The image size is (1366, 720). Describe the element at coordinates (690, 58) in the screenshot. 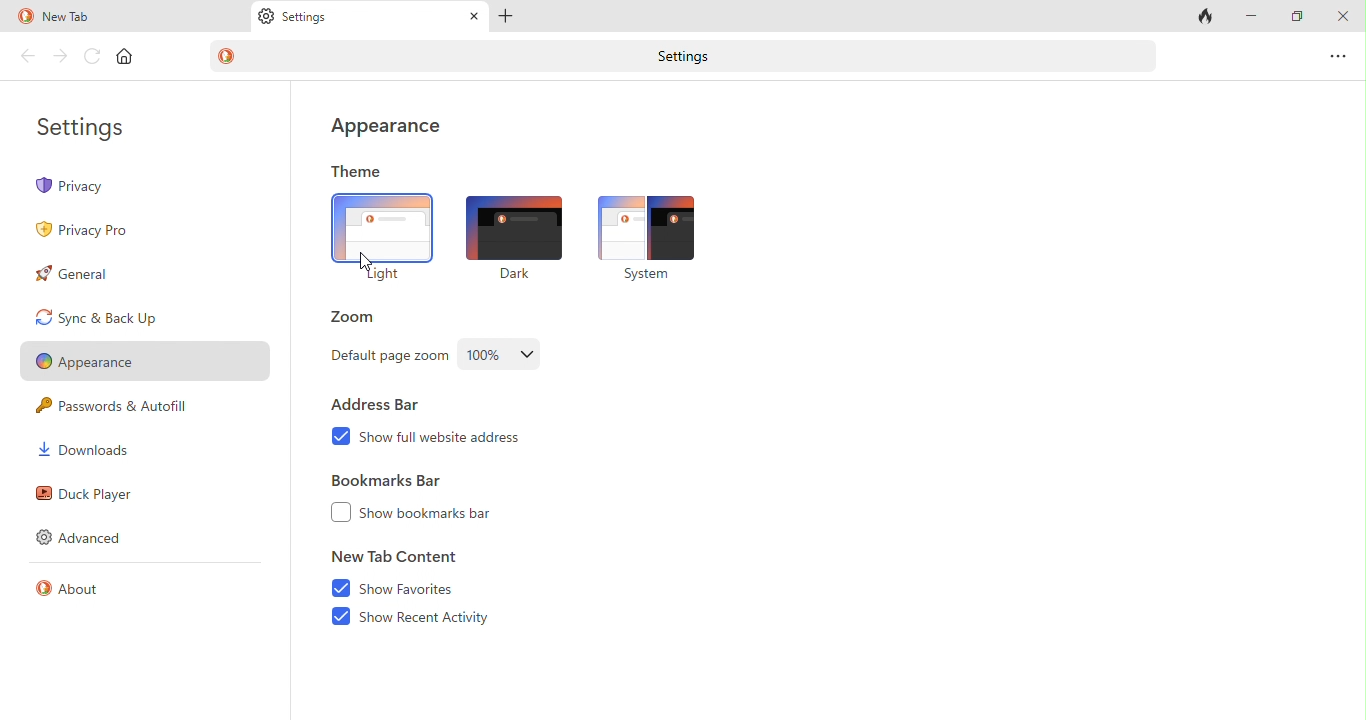

I see `settings` at that location.